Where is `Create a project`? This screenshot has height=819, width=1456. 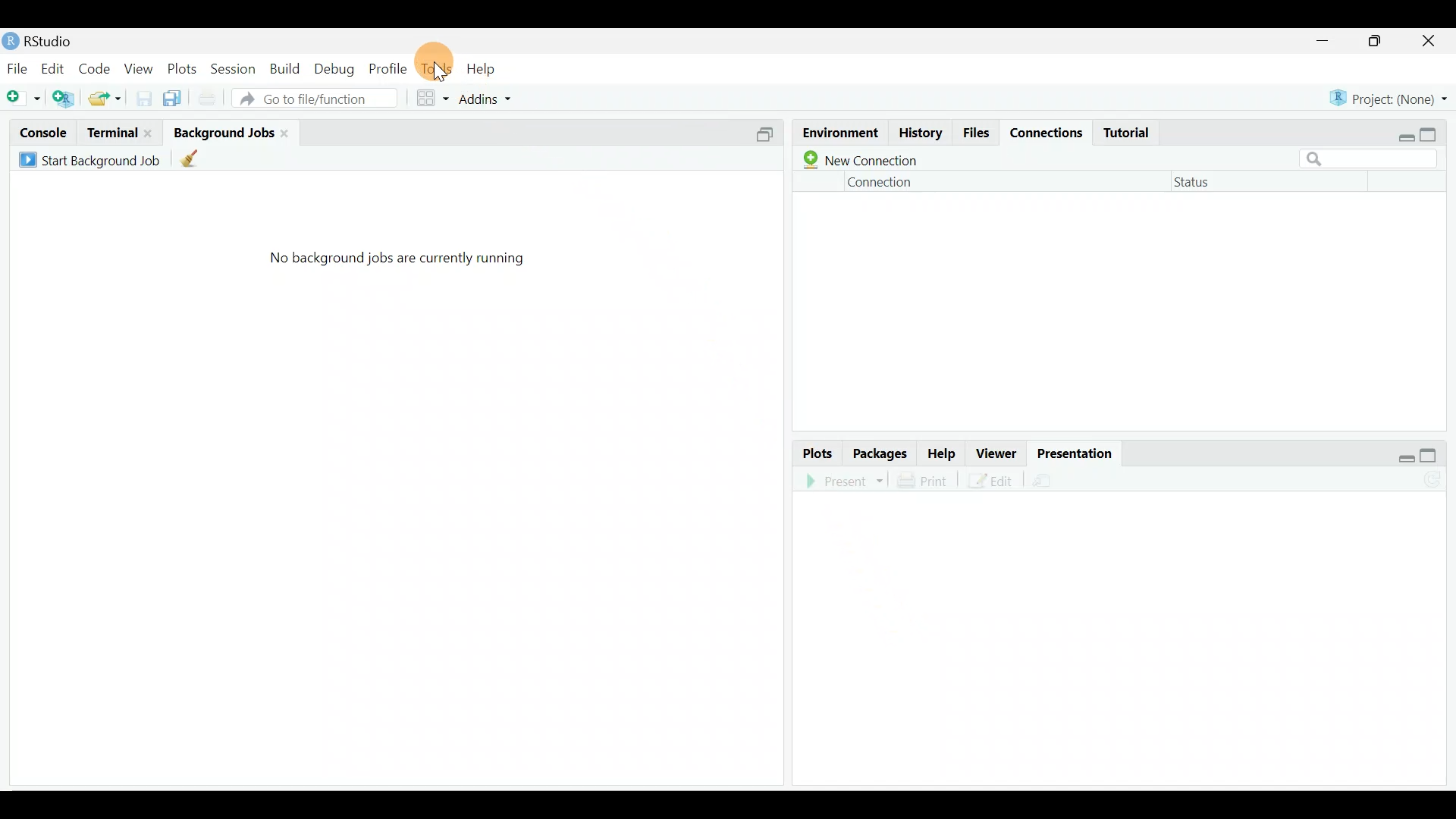 Create a project is located at coordinates (64, 98).